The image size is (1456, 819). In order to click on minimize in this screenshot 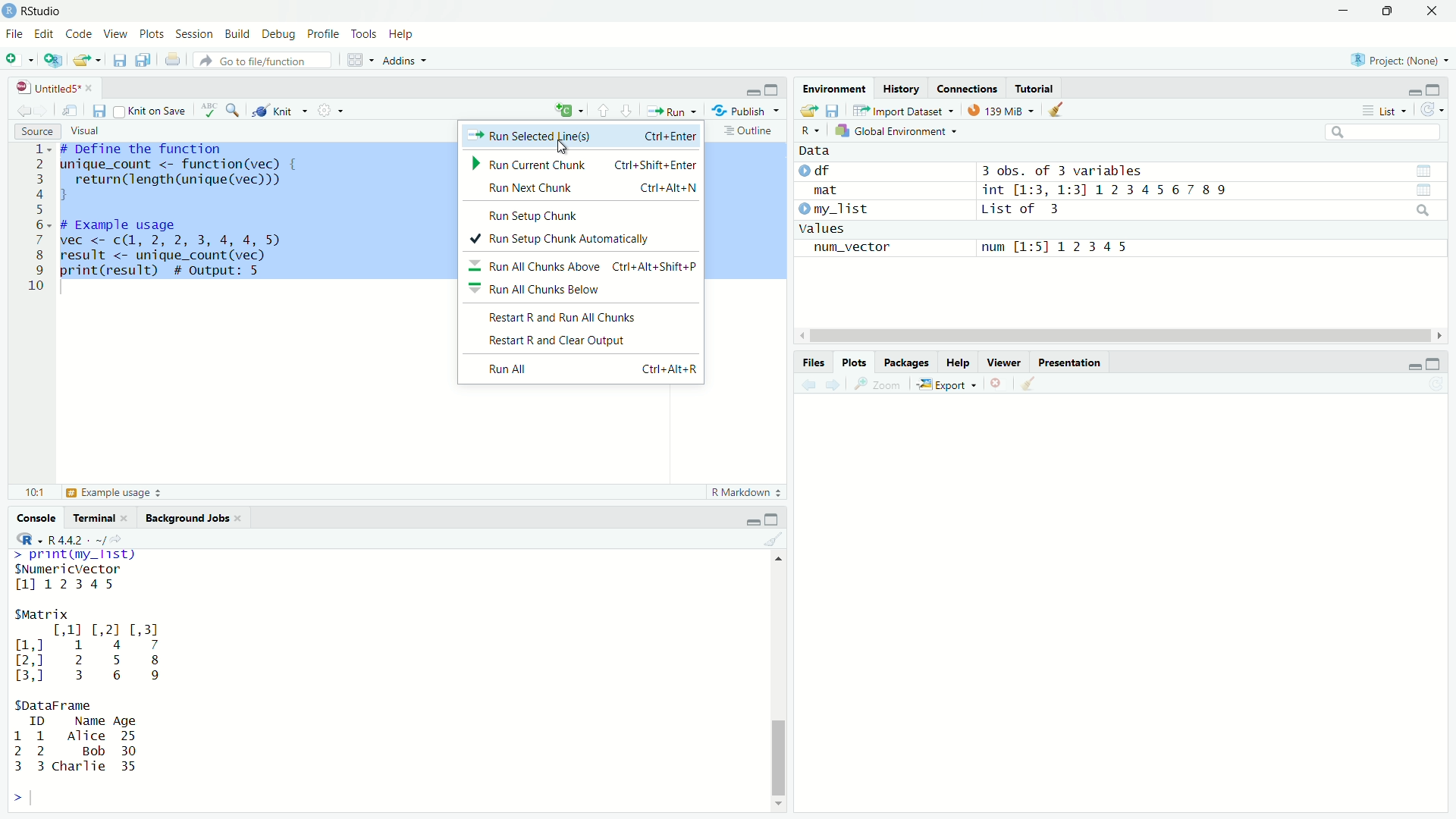, I will do `click(752, 522)`.